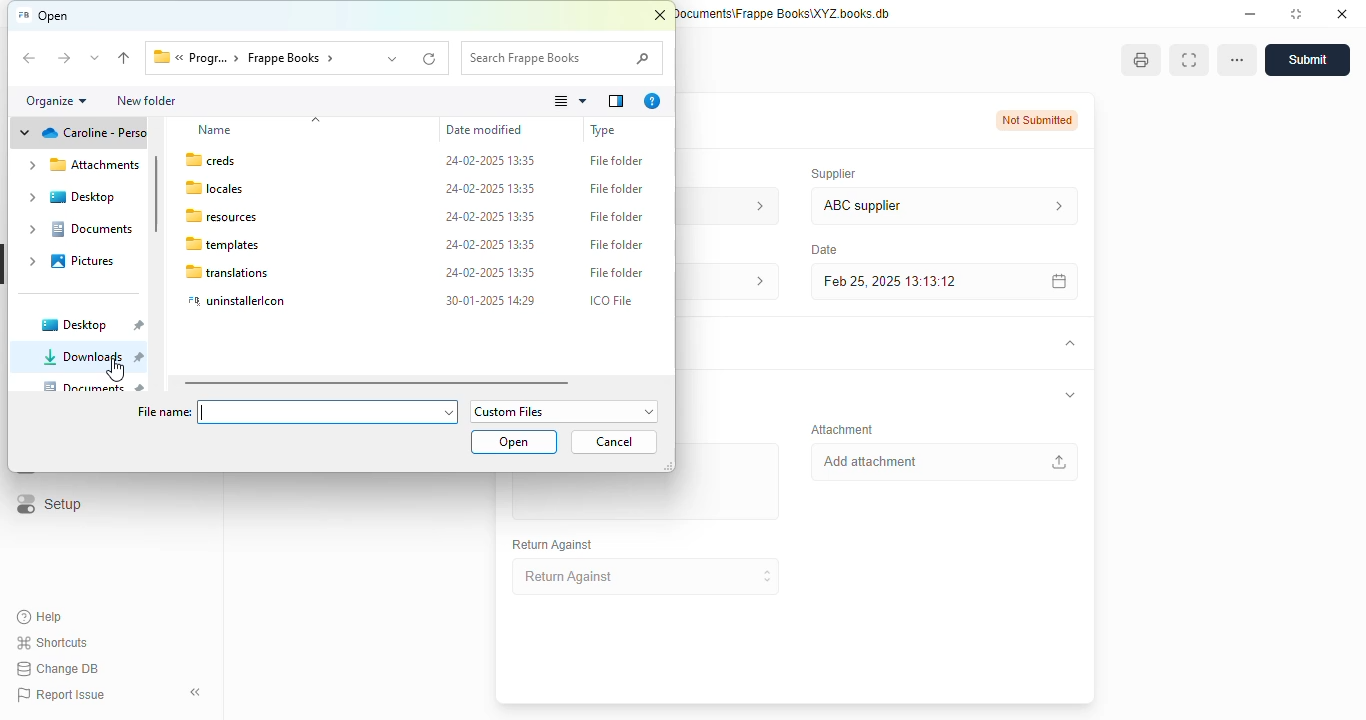 The width and height of the screenshot is (1366, 720). What do you see at coordinates (1068, 344) in the screenshot?
I see `toggle expand/contract` at bounding box center [1068, 344].